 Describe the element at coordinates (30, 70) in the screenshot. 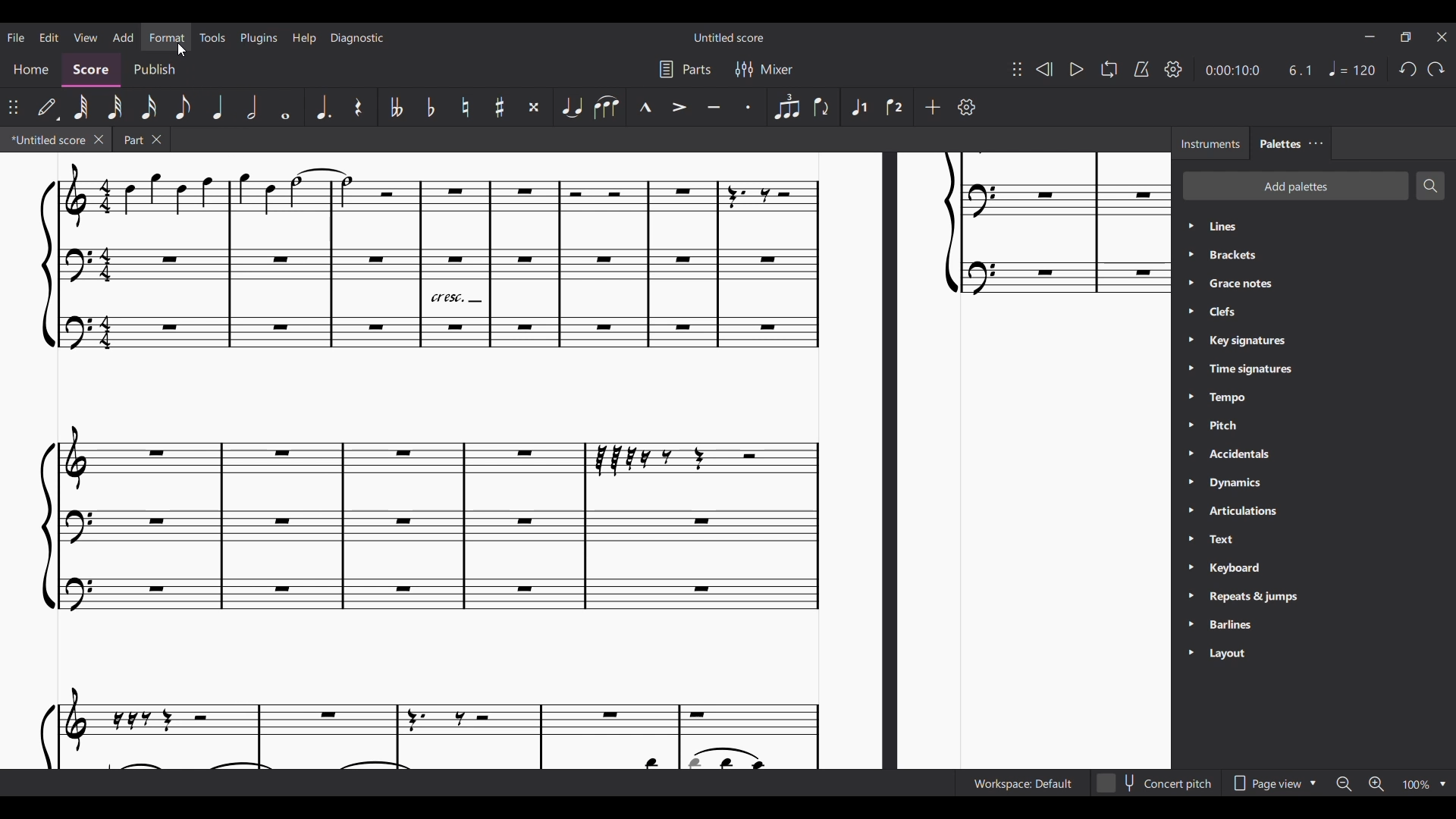

I see `Home section` at that location.